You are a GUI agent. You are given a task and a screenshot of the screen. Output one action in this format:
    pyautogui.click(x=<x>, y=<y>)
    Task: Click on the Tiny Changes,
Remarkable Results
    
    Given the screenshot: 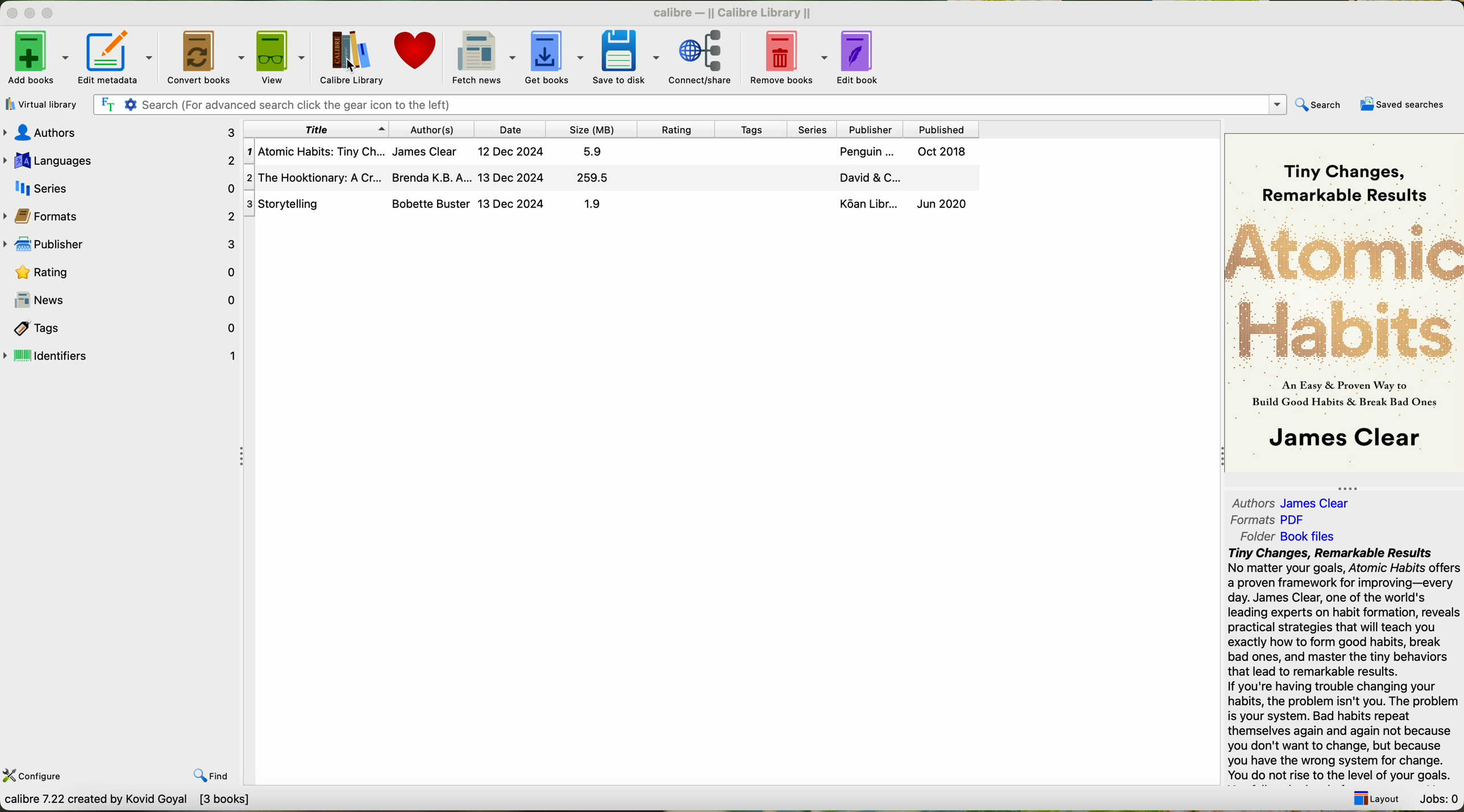 What is the action you would take?
    pyautogui.click(x=1340, y=173)
    